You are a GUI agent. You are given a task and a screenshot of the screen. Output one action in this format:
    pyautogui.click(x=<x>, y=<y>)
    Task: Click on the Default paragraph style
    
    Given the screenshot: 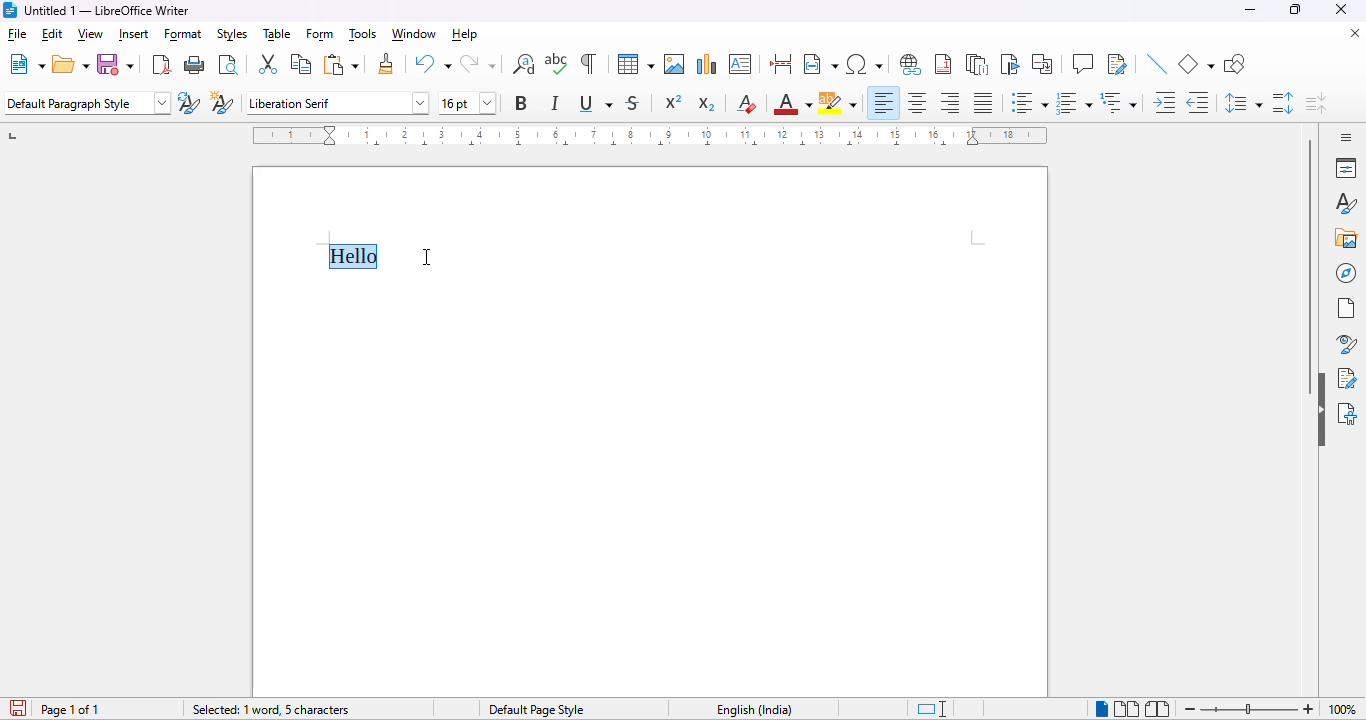 What is the action you would take?
    pyautogui.click(x=87, y=103)
    